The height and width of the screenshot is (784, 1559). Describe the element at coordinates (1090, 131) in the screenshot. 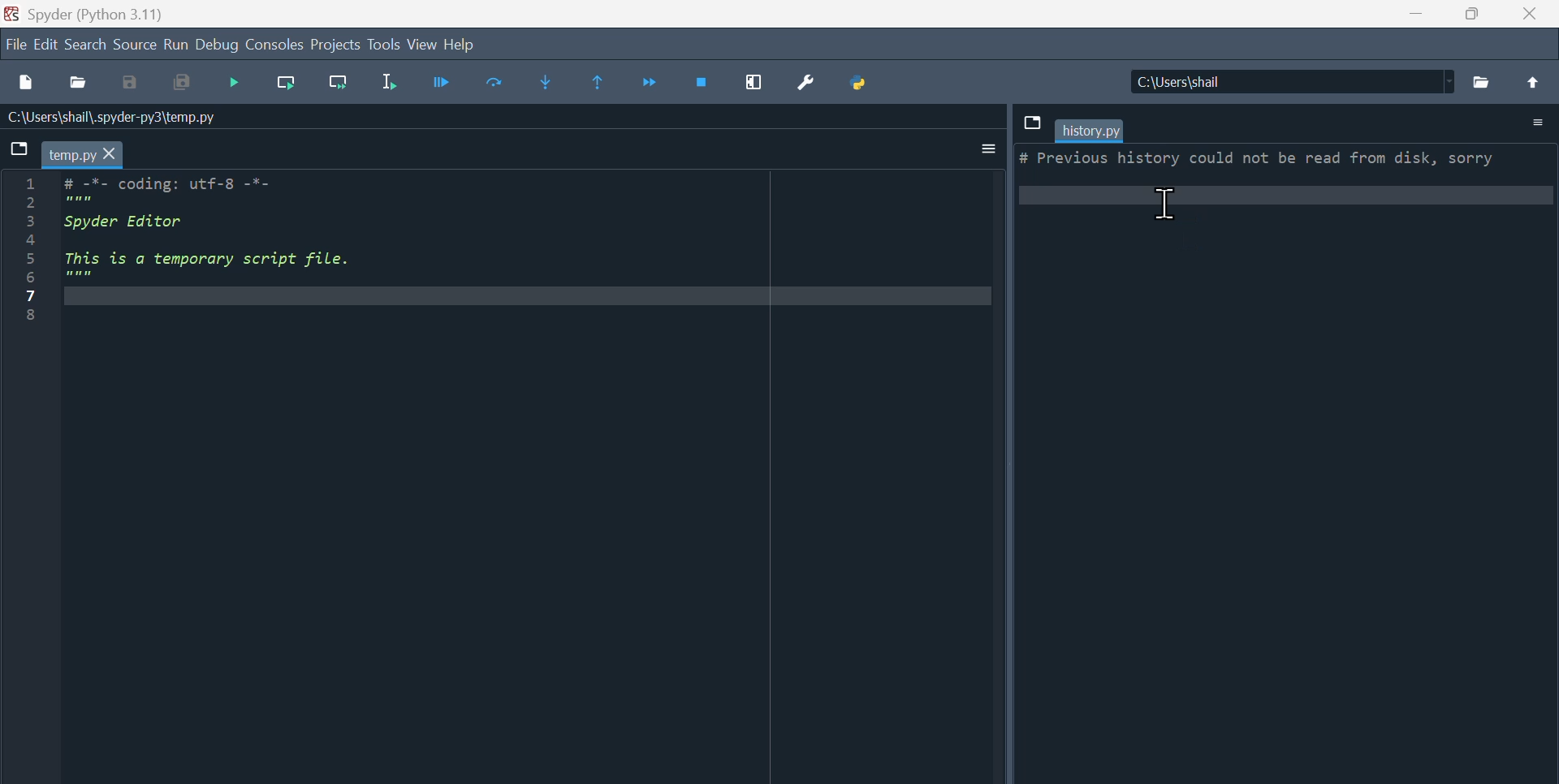

I see `history.py` at that location.